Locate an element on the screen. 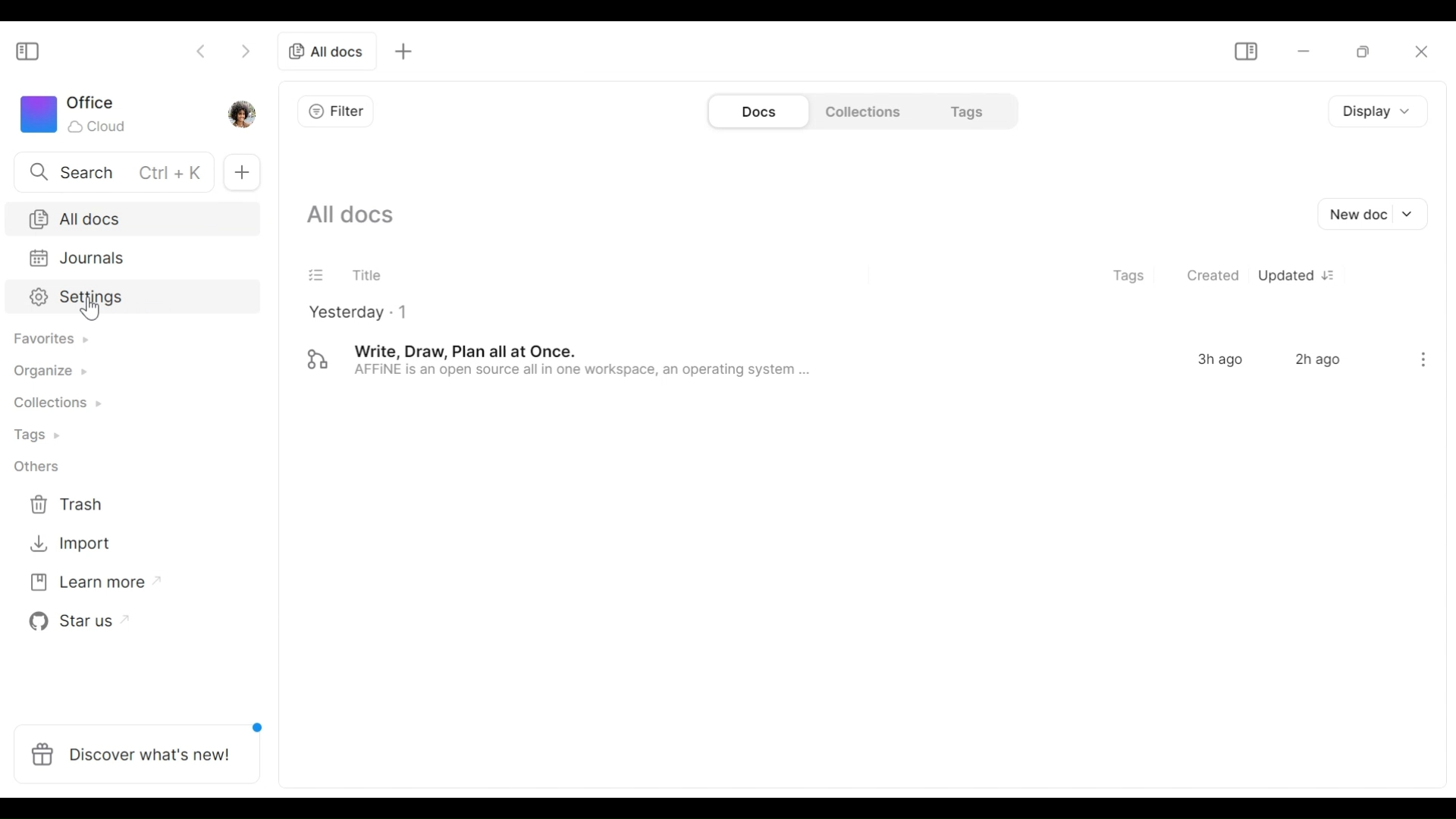  All documents is located at coordinates (128, 218).